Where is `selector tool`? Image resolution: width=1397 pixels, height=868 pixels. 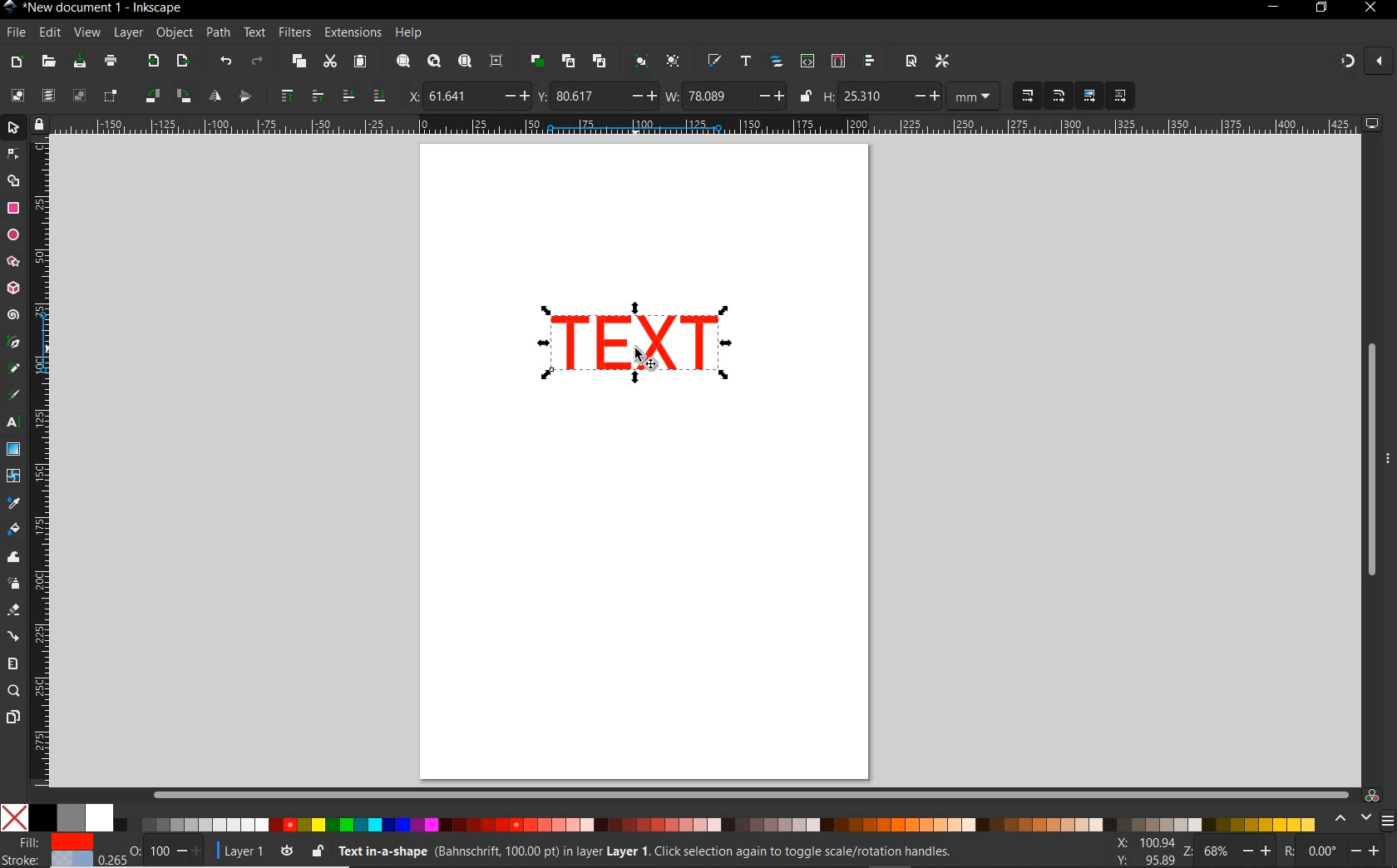 selector tool is located at coordinates (15, 130).